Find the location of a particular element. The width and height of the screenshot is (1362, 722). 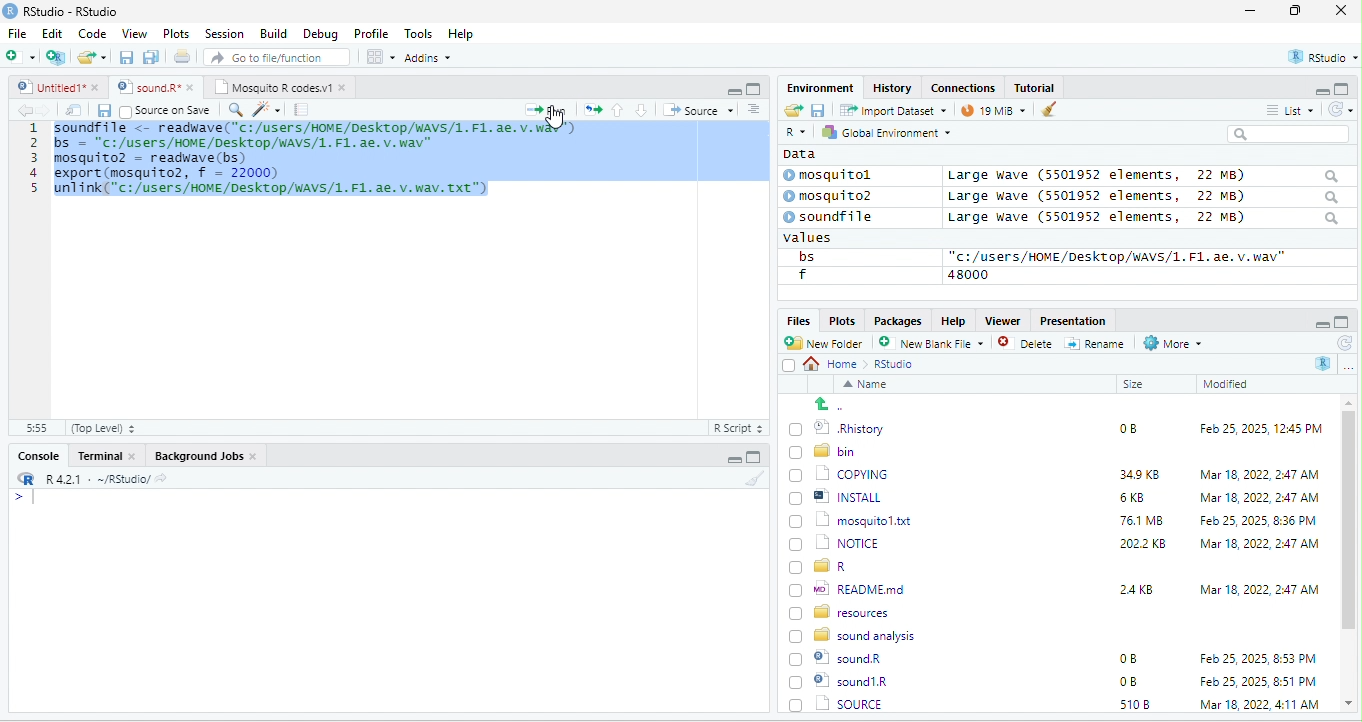

save is located at coordinates (103, 110).